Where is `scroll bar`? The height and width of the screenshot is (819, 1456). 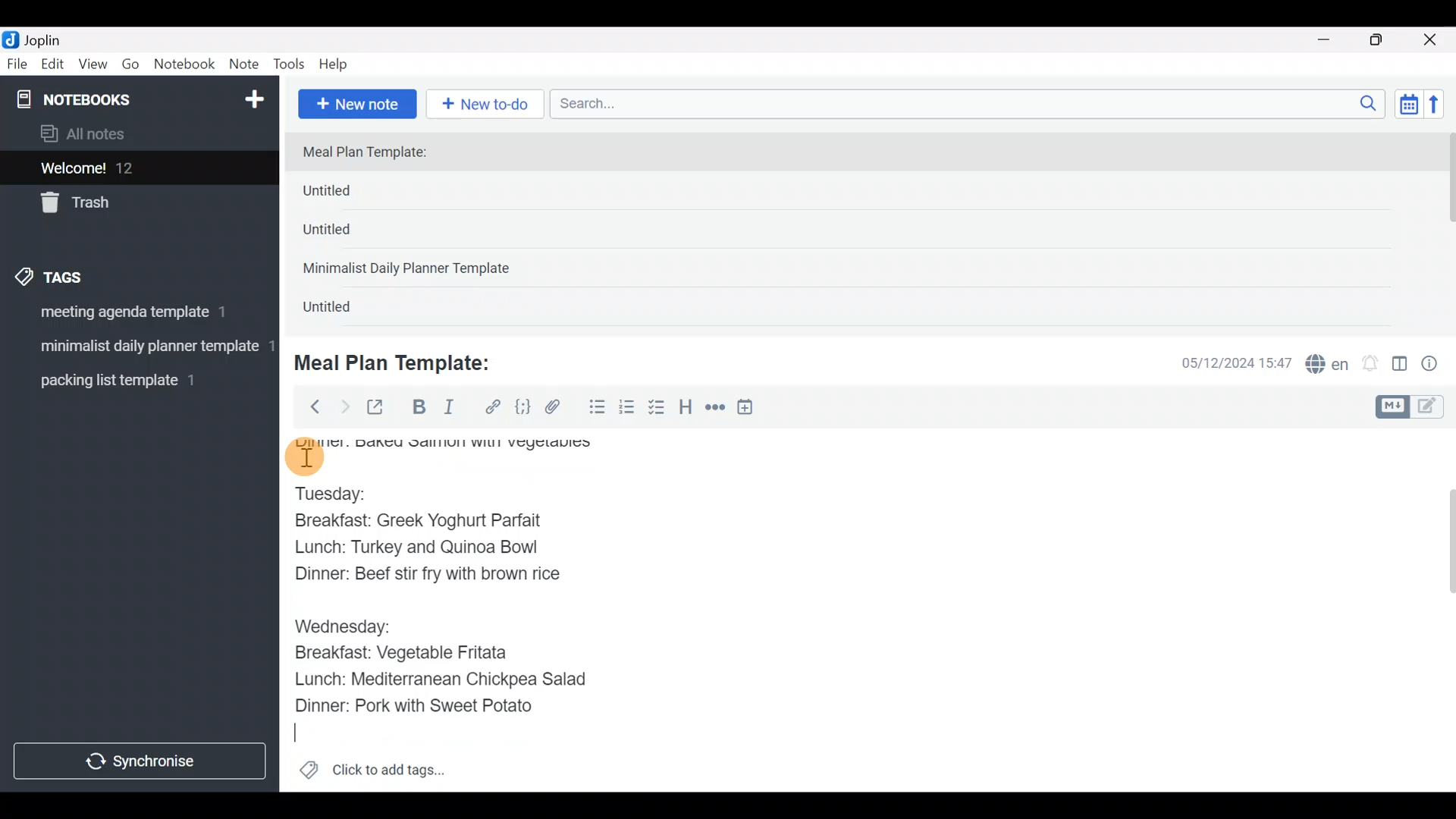 scroll bar is located at coordinates (1446, 229).